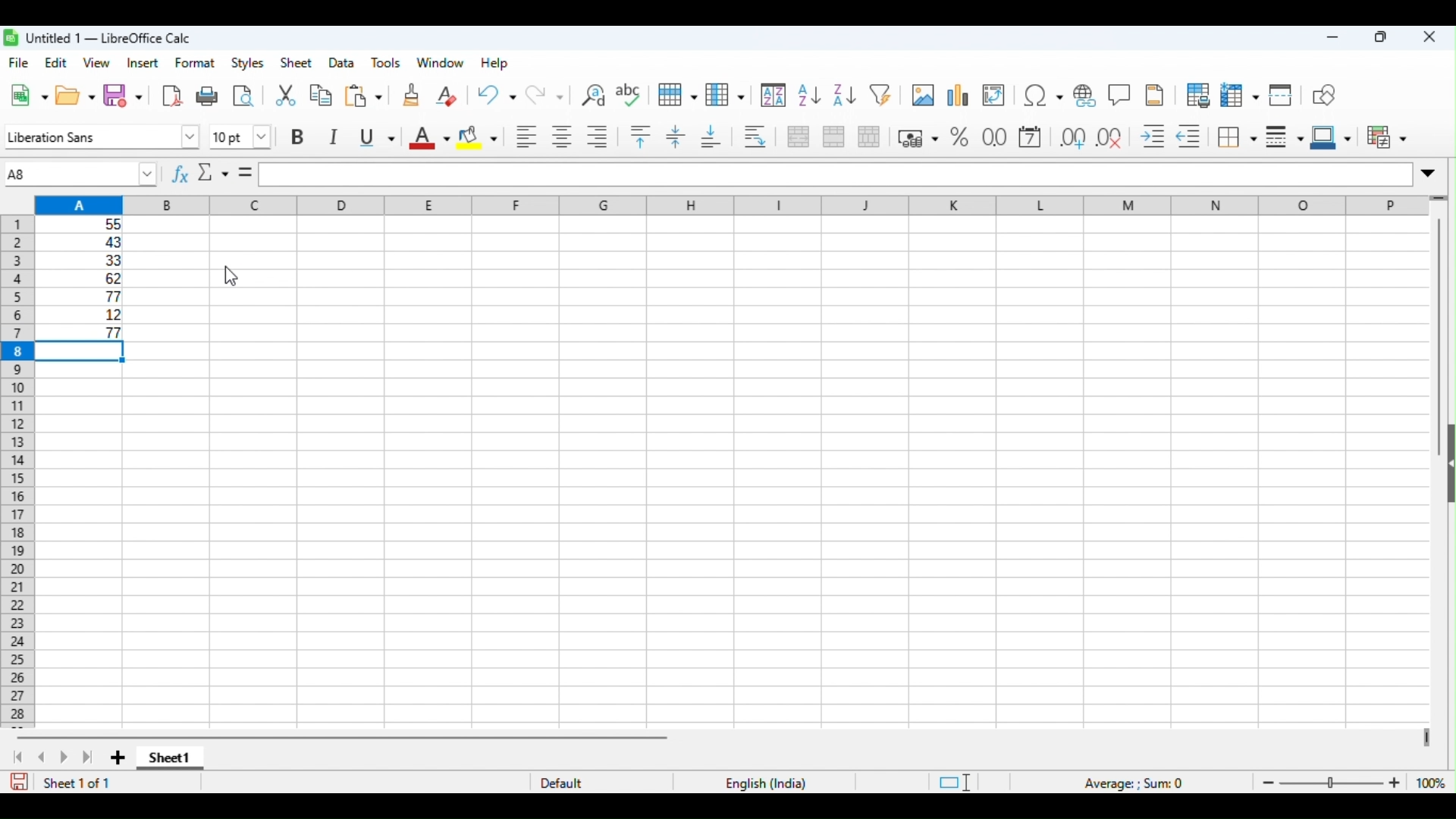  Describe the element at coordinates (1192, 136) in the screenshot. I see `decrease indent` at that location.